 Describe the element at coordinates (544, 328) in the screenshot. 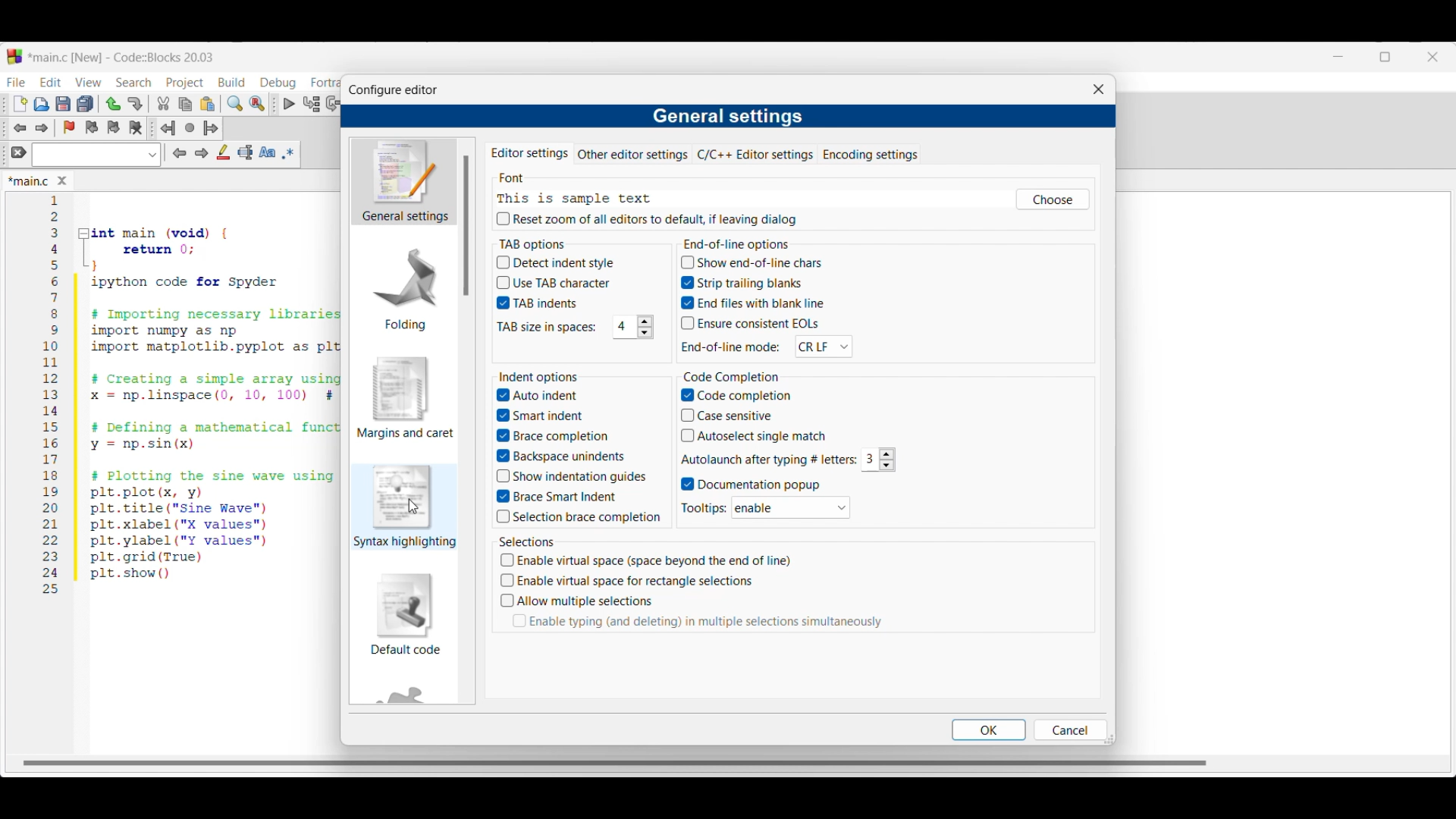

I see `Indicates TAB size in spaces` at that location.